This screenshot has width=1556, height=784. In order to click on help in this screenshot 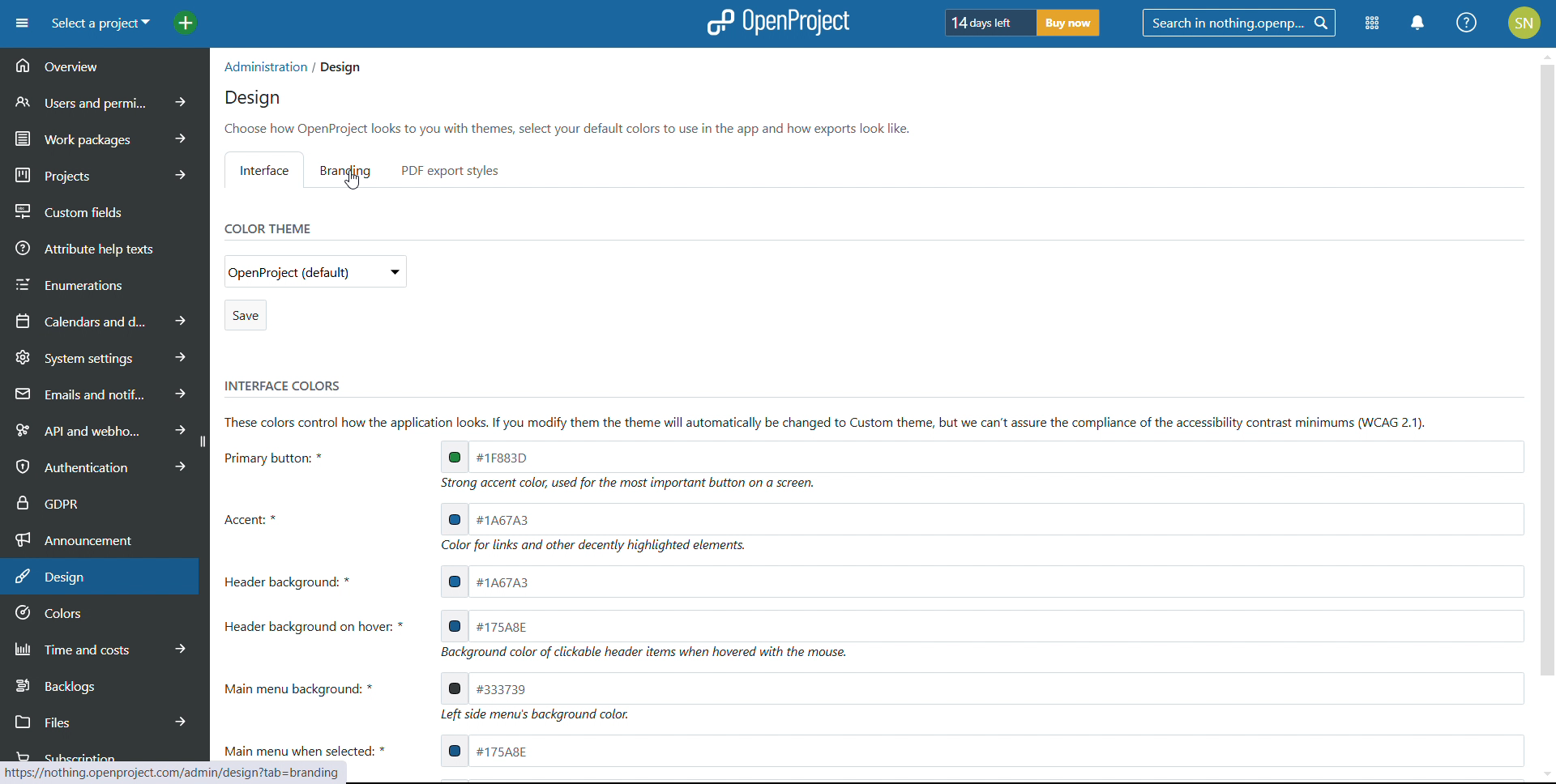, I will do `click(1468, 23)`.